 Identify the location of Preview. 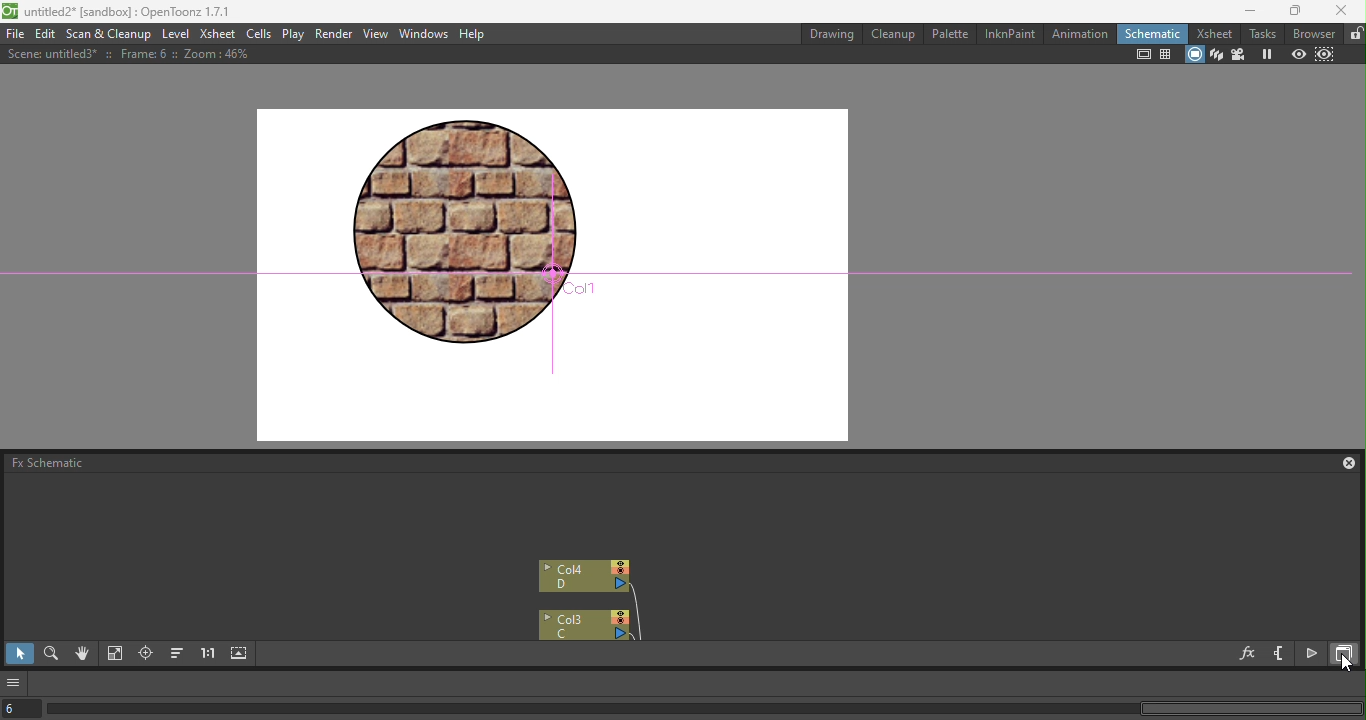
(1298, 55).